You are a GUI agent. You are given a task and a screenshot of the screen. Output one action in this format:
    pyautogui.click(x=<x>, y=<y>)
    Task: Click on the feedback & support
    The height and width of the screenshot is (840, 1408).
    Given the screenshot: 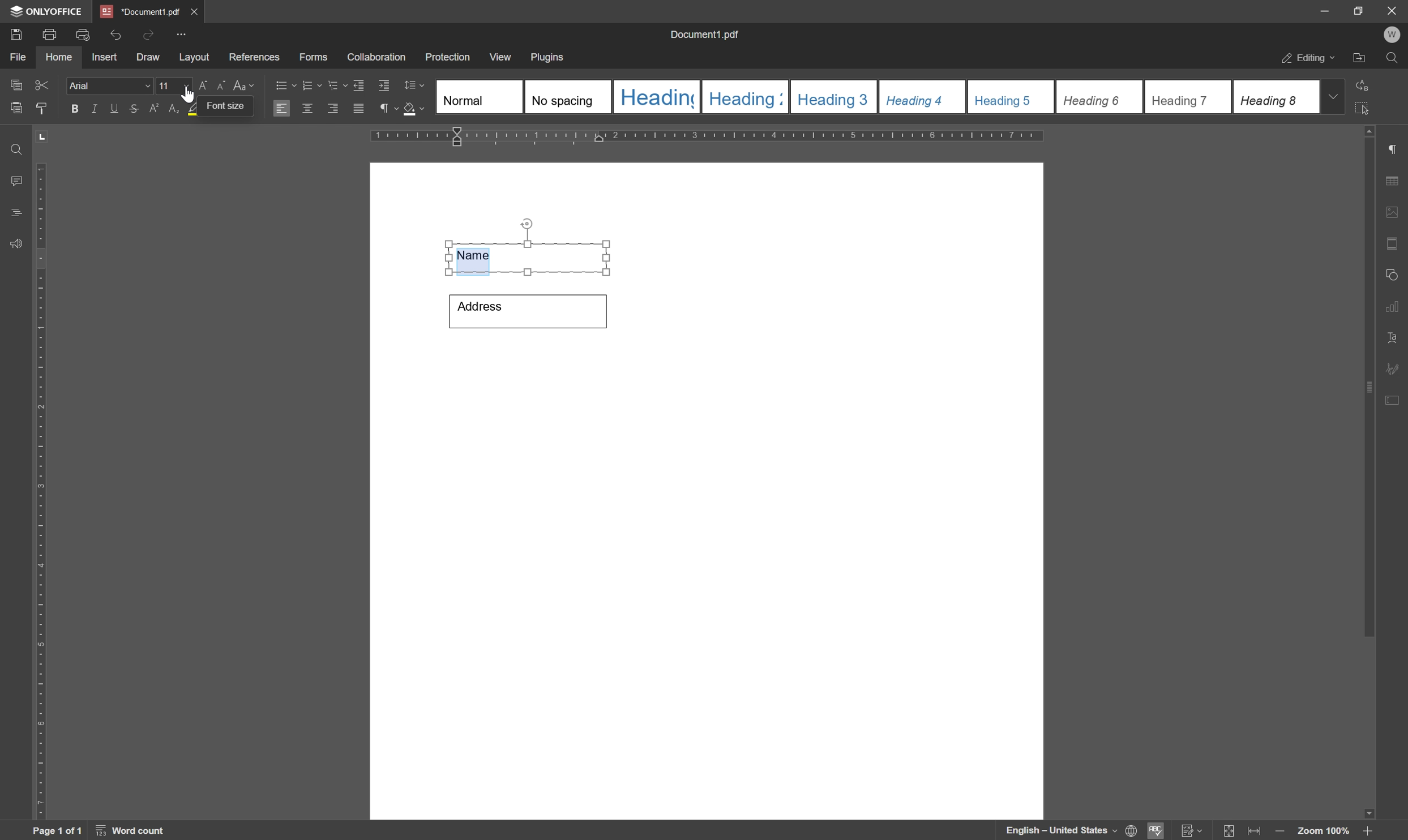 What is the action you would take?
    pyautogui.click(x=16, y=245)
    